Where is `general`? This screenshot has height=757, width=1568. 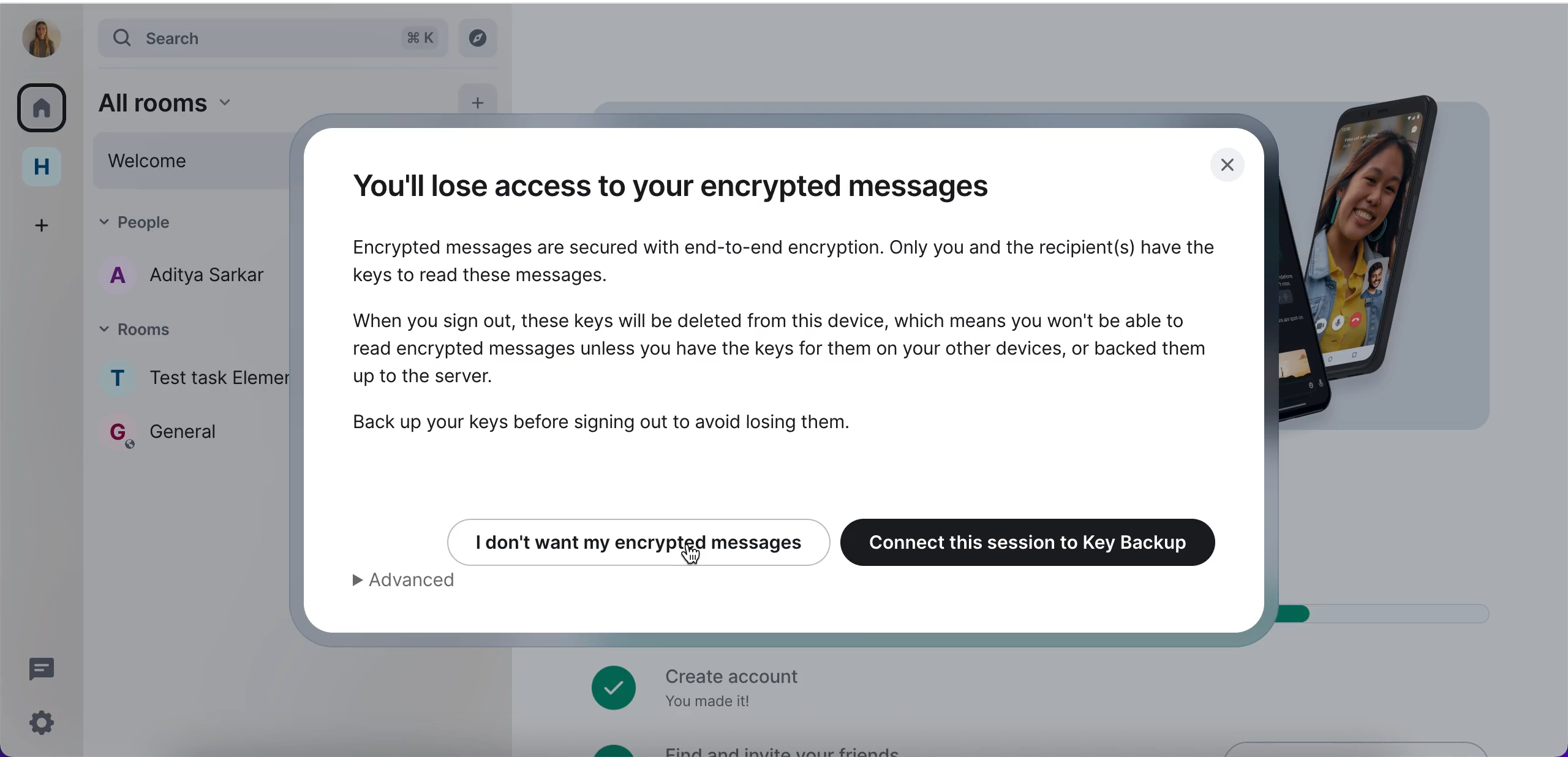
general is located at coordinates (190, 439).